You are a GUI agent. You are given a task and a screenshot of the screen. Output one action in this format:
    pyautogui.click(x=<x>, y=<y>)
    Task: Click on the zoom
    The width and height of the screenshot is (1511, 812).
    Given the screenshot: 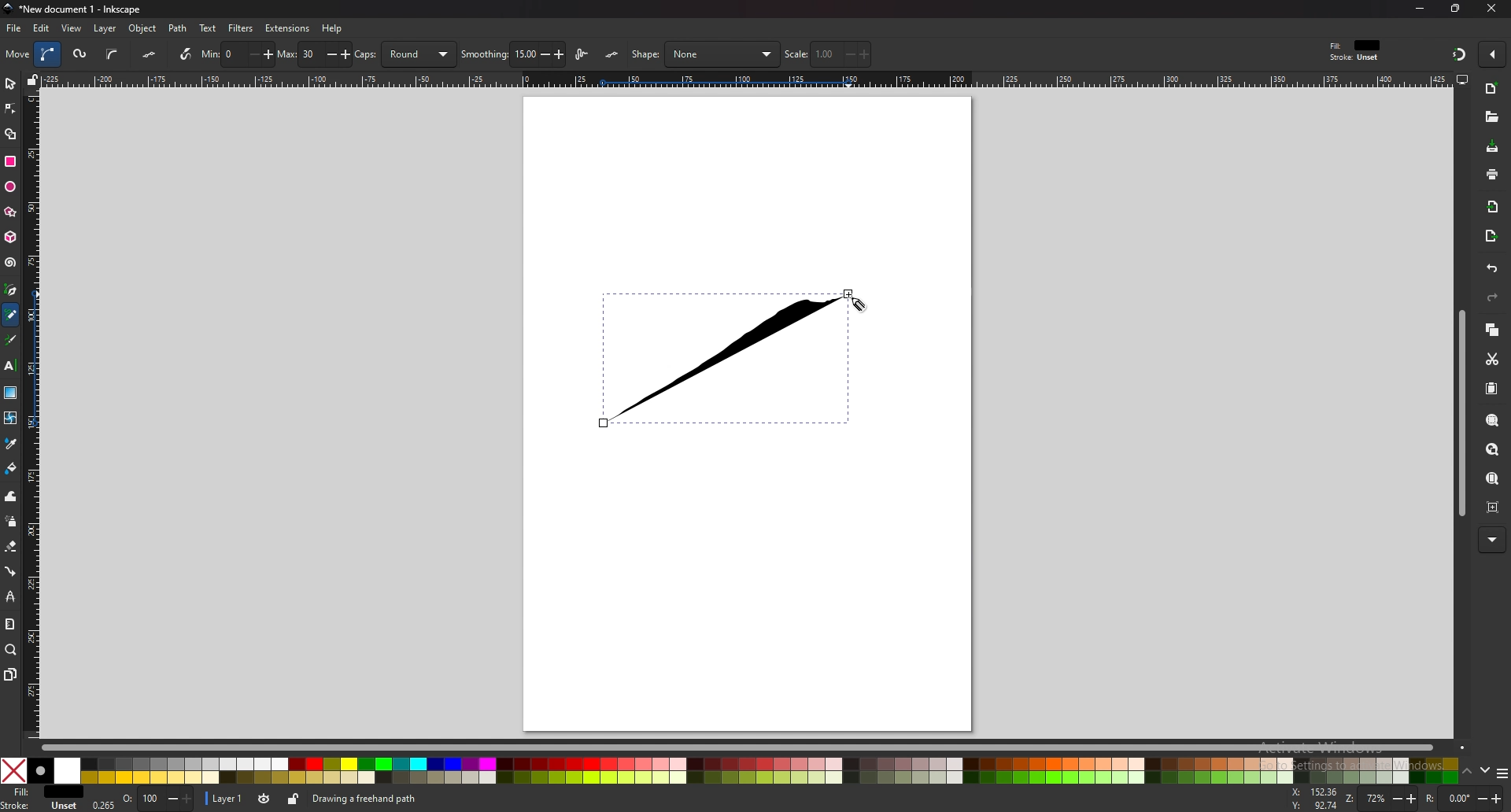 What is the action you would take?
    pyautogui.click(x=1382, y=798)
    